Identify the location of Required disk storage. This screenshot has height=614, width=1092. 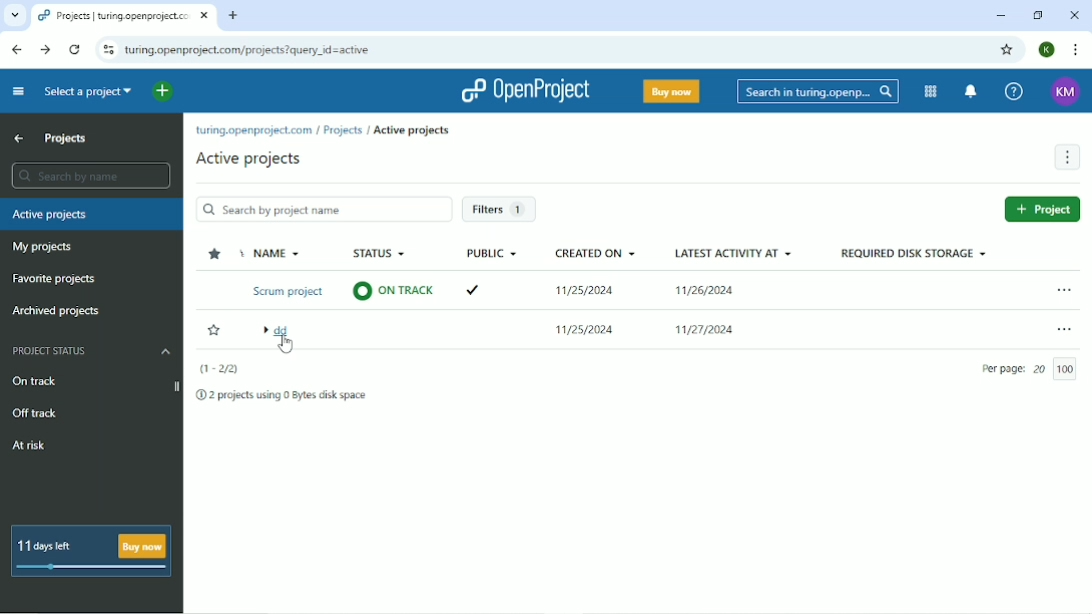
(915, 255).